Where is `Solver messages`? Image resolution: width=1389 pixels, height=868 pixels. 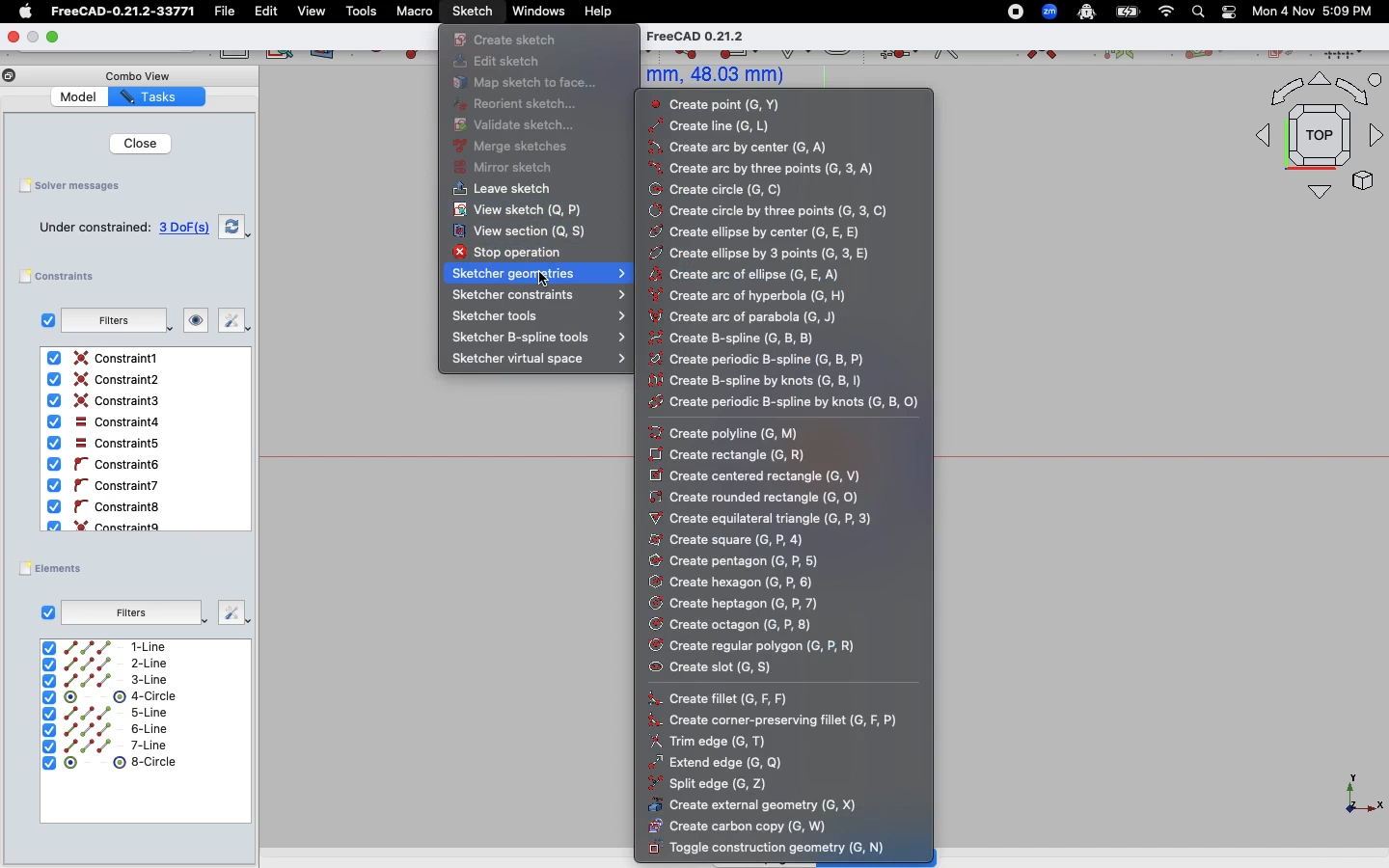
Solver messages is located at coordinates (74, 185).